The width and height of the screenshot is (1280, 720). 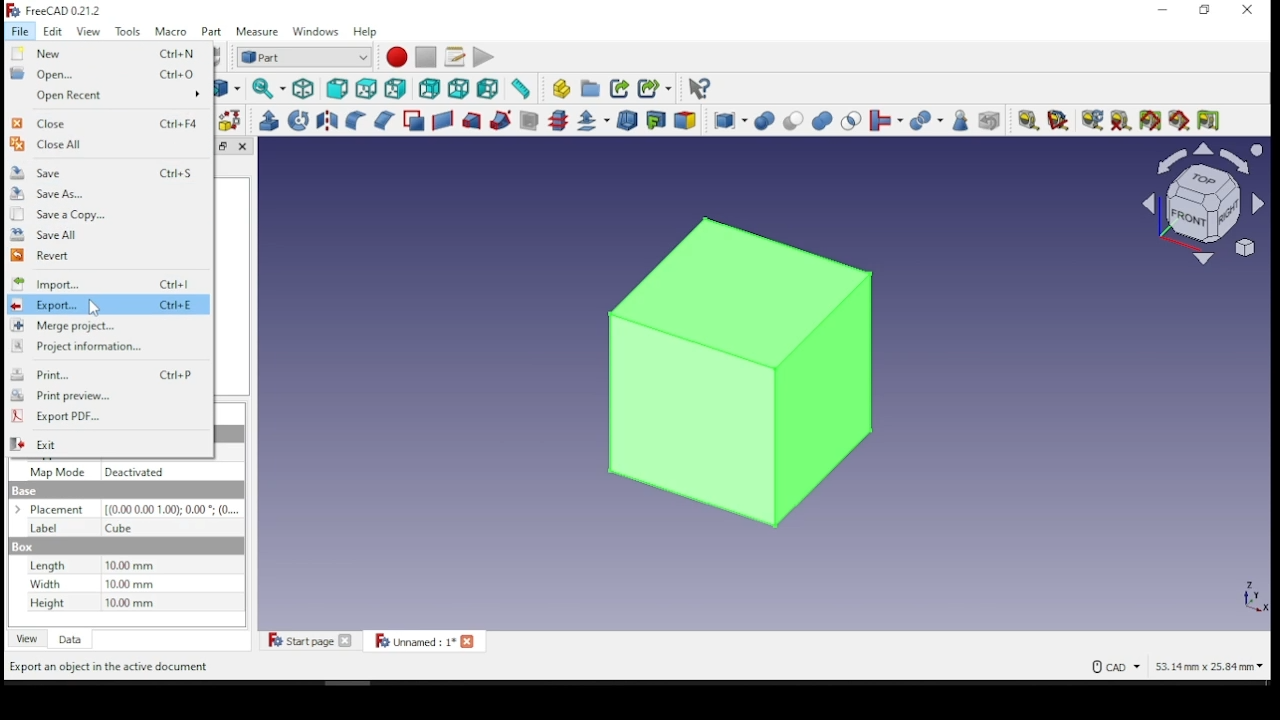 What do you see at coordinates (483, 57) in the screenshot?
I see `execute macro` at bounding box center [483, 57].